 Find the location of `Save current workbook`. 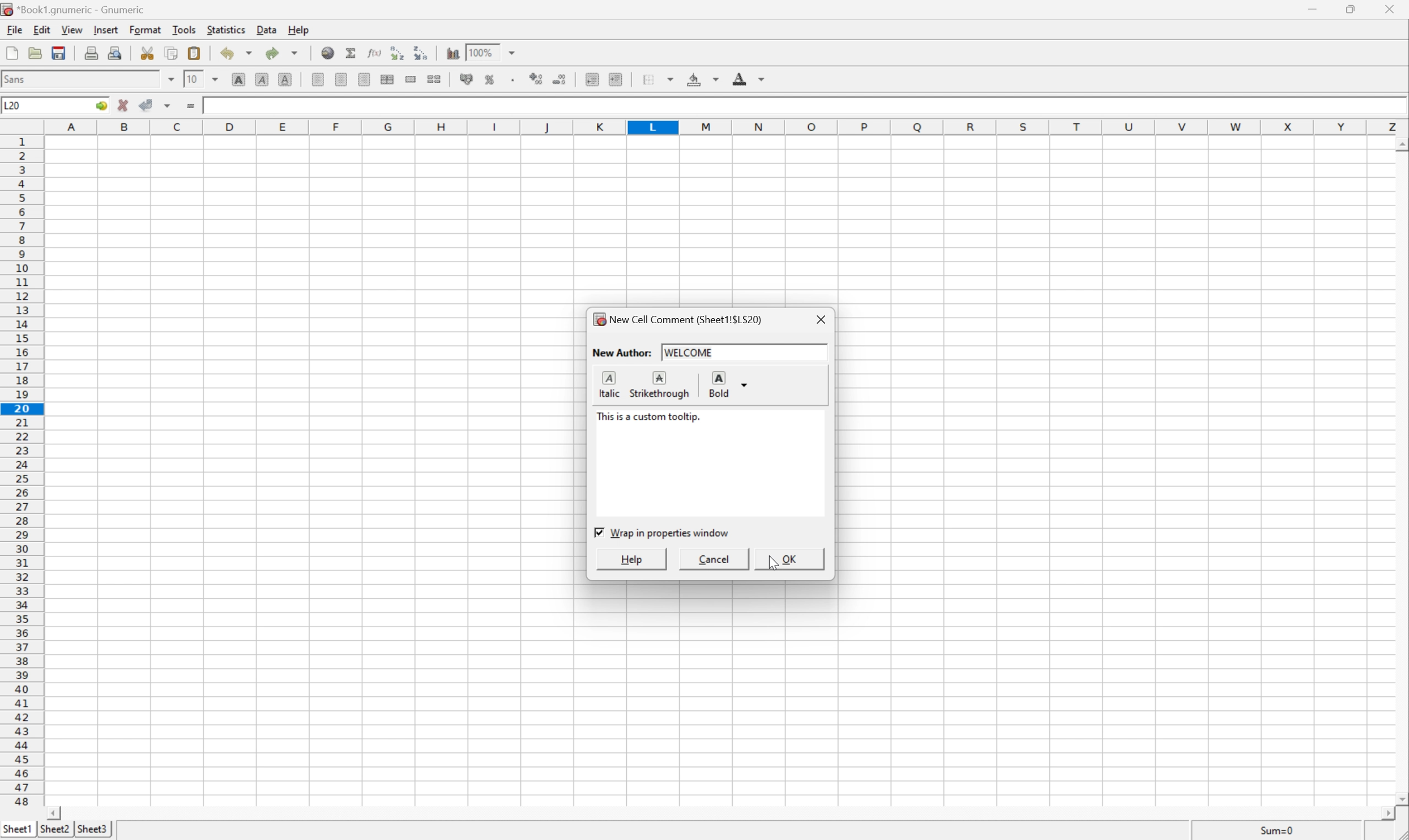

Save current workbook is located at coordinates (60, 53).